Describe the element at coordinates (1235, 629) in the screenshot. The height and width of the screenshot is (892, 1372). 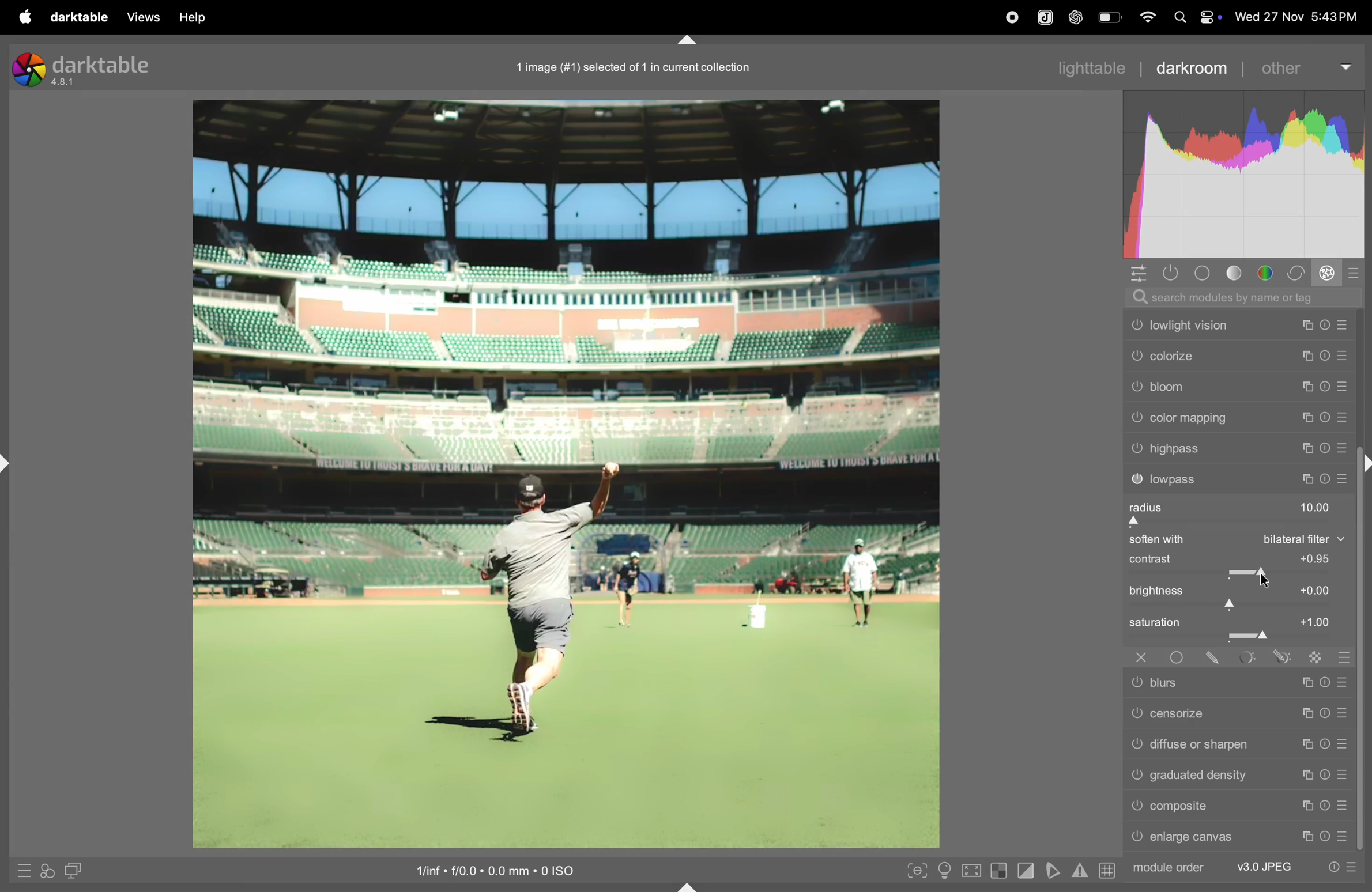
I see `saturation` at that location.